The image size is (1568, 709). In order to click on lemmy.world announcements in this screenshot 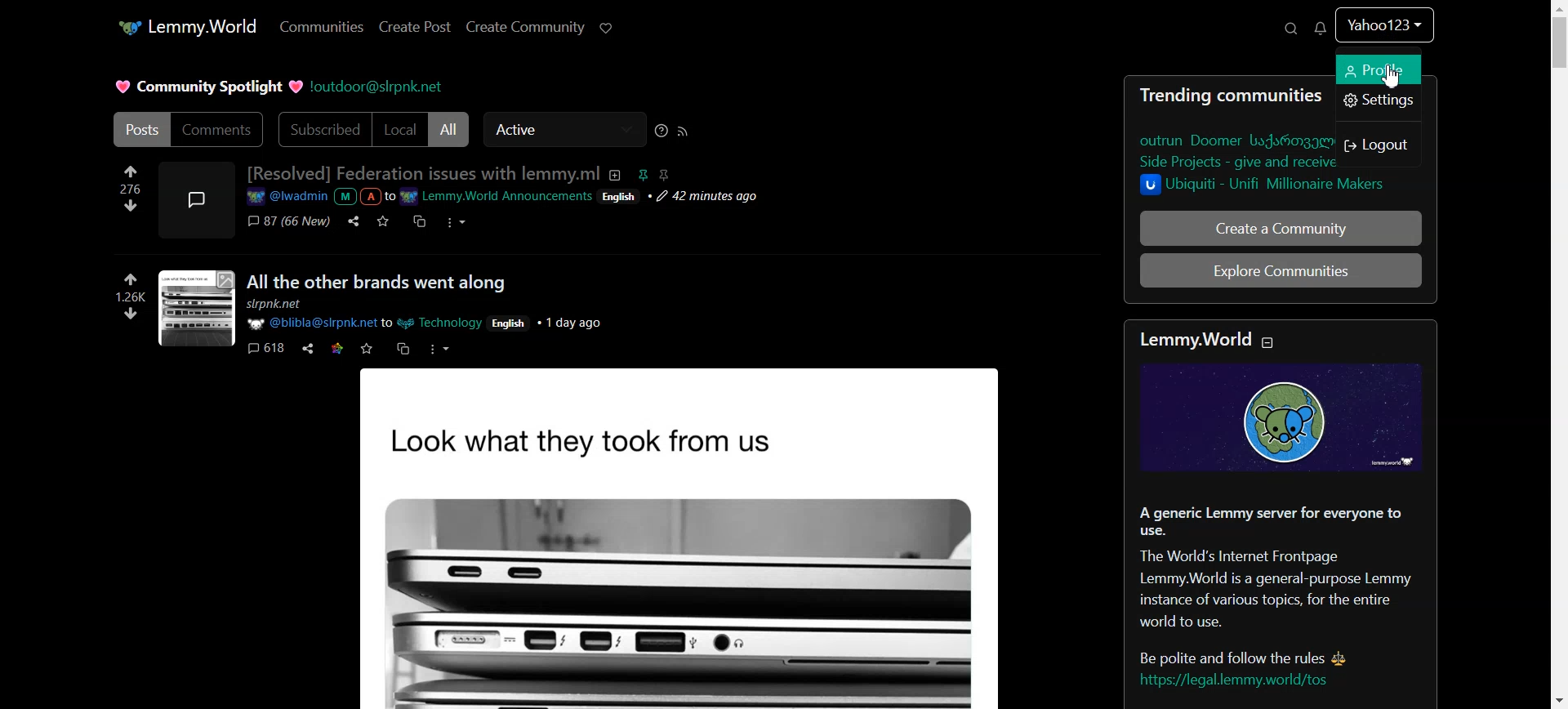, I will do `click(497, 197)`.